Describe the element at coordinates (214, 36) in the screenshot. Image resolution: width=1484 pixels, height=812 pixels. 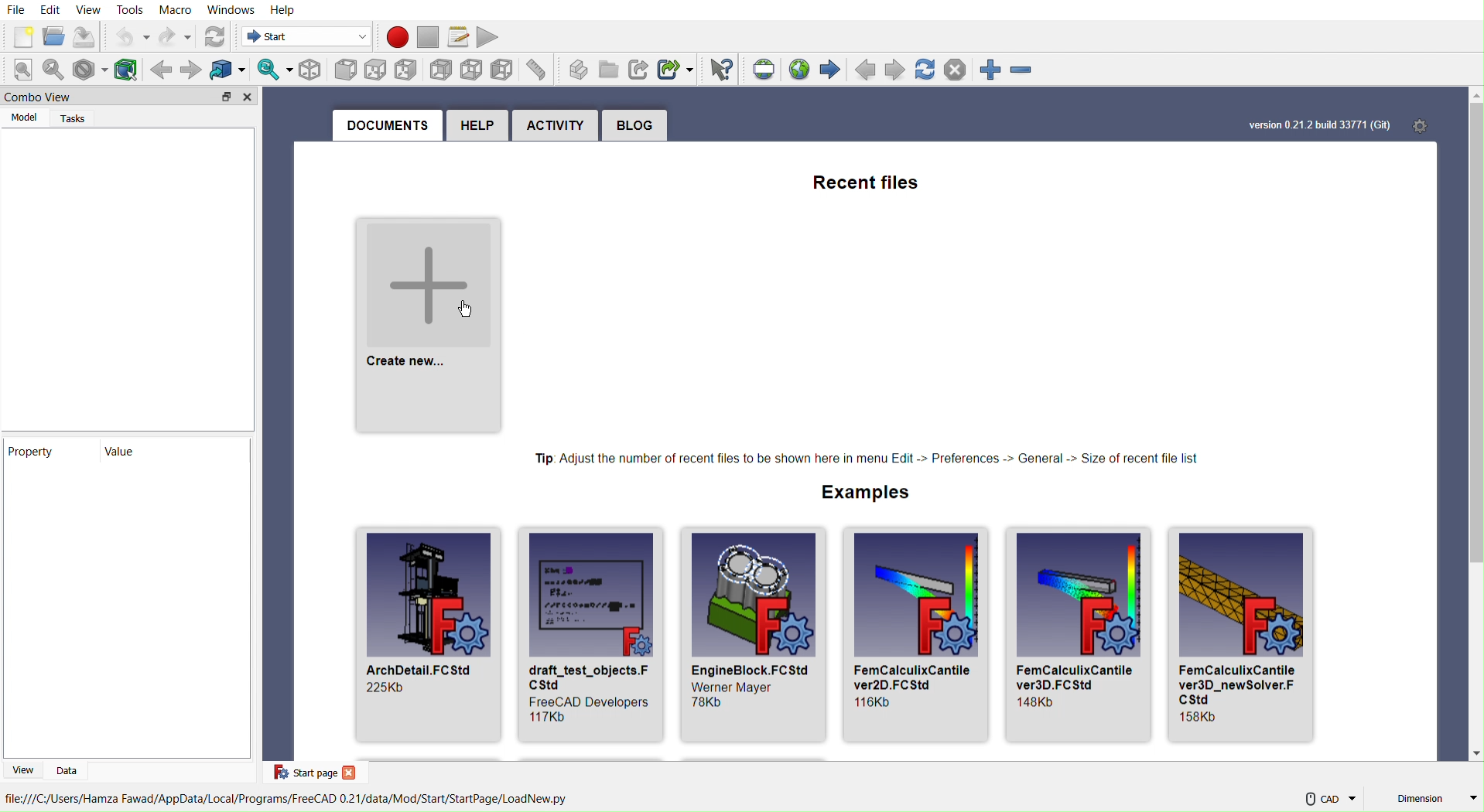
I see `Recompute active document` at that location.